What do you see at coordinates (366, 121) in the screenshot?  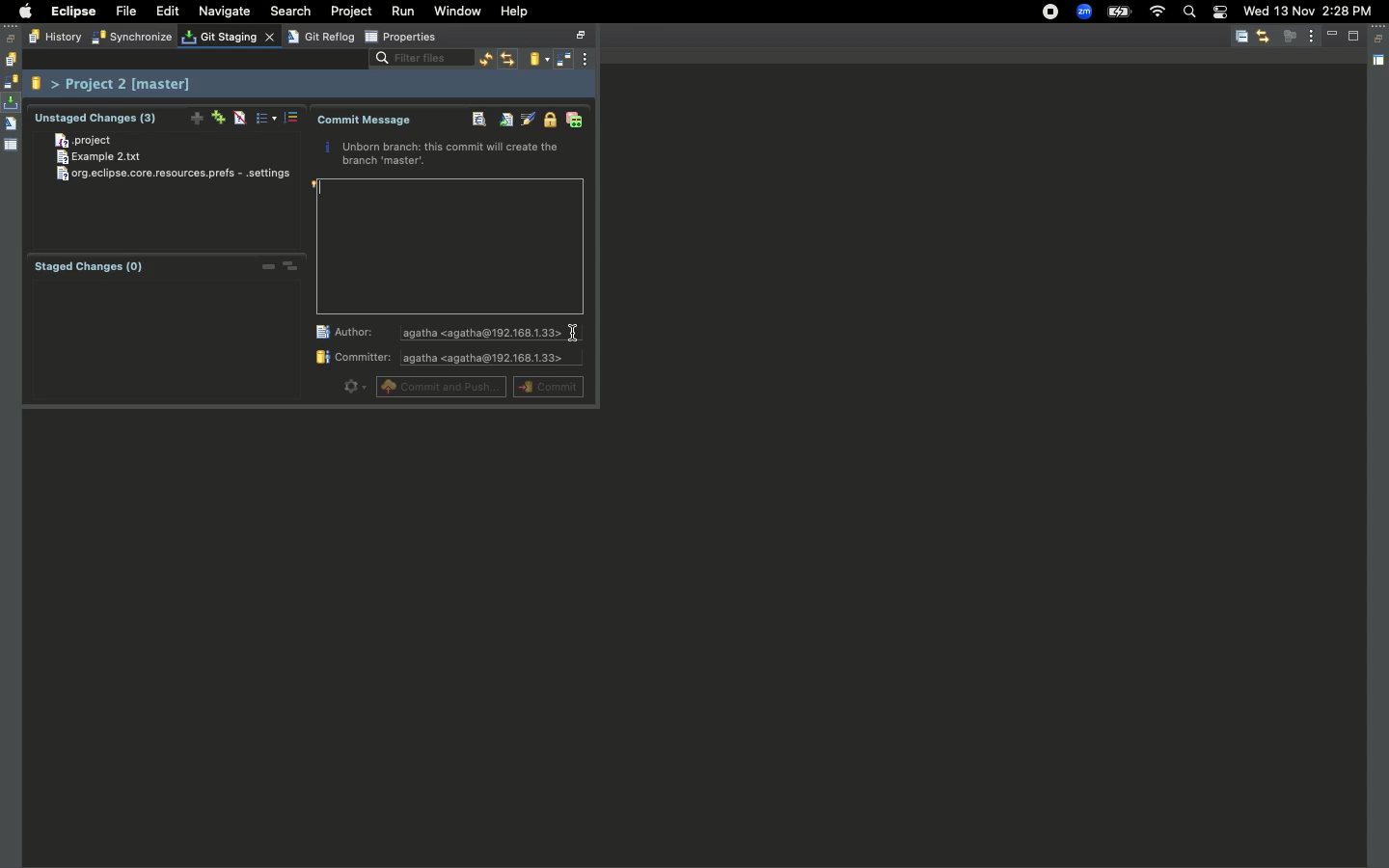 I see `Commit message` at bounding box center [366, 121].